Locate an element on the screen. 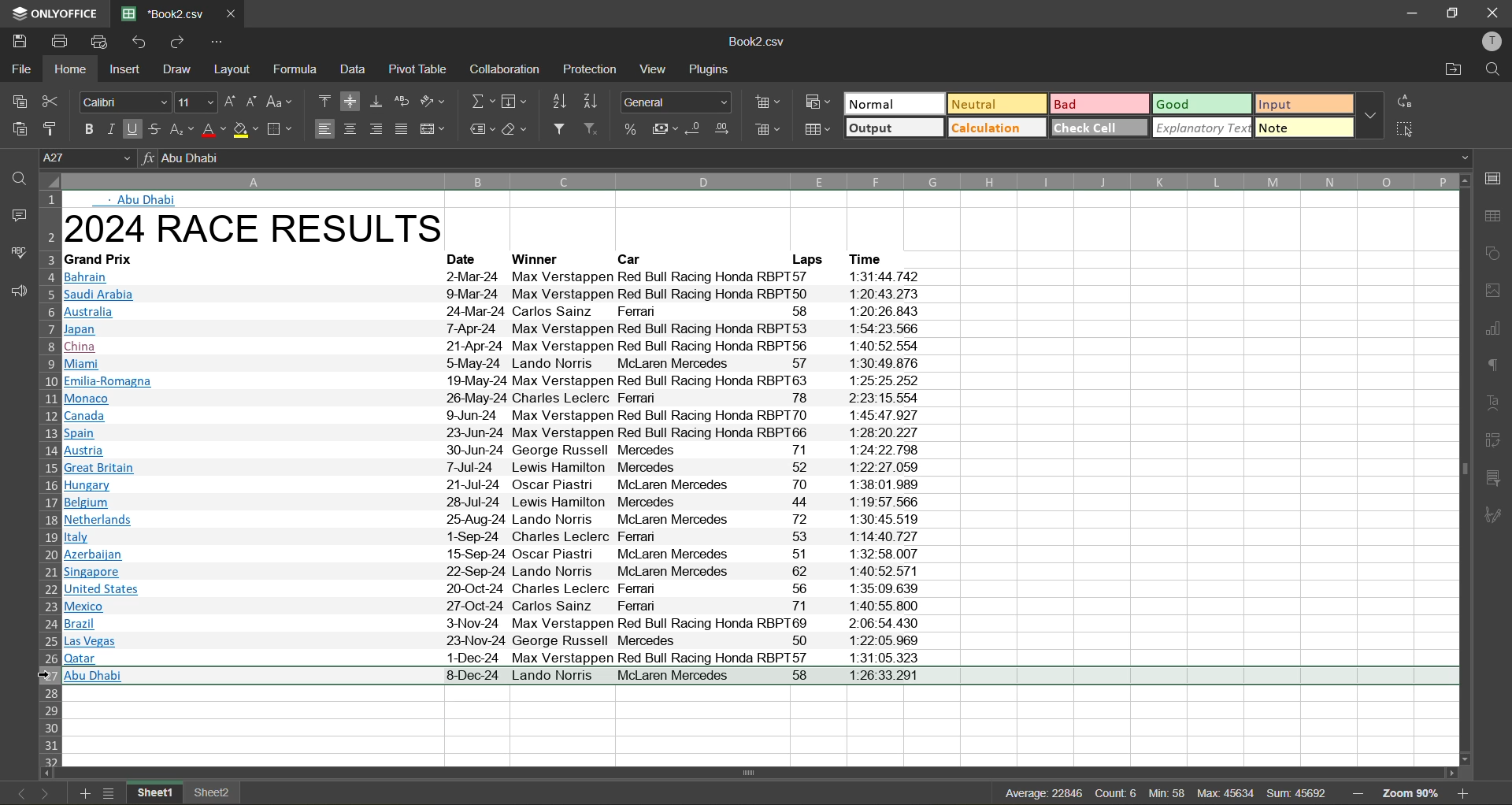 This screenshot has width=1512, height=805. text info is located at coordinates (492, 312).